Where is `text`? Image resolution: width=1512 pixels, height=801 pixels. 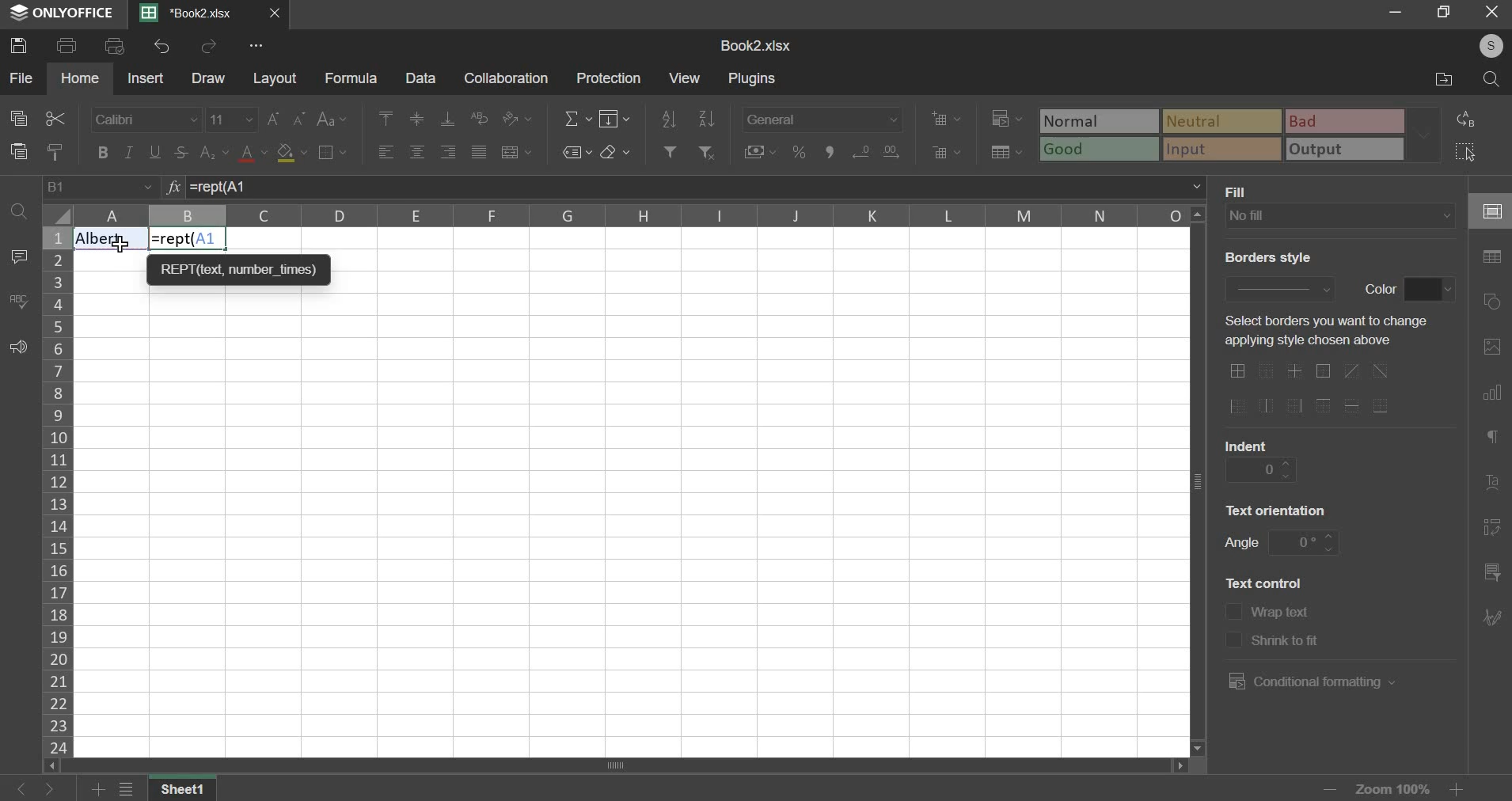 text is located at coordinates (1249, 443).